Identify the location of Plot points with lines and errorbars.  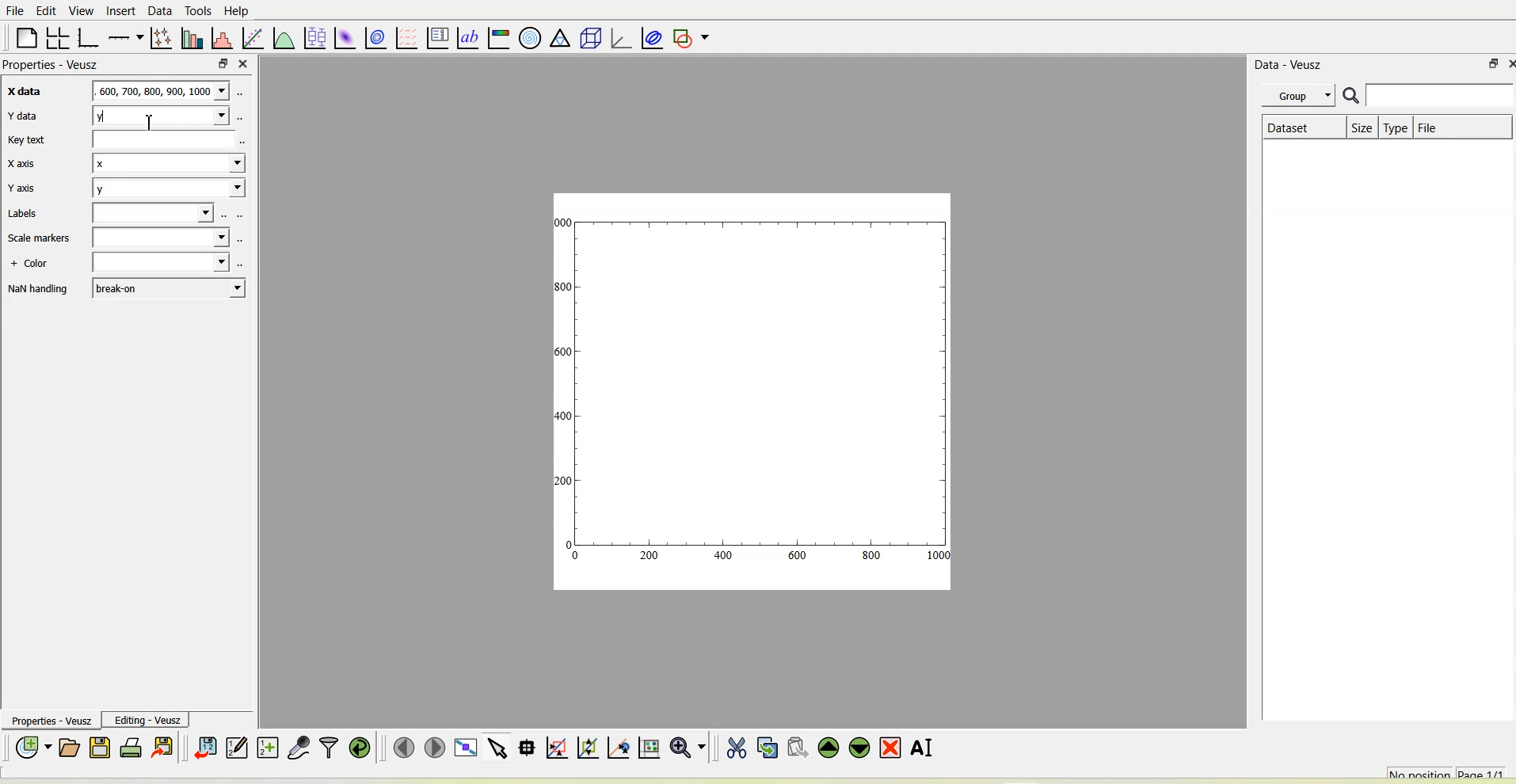
(162, 36).